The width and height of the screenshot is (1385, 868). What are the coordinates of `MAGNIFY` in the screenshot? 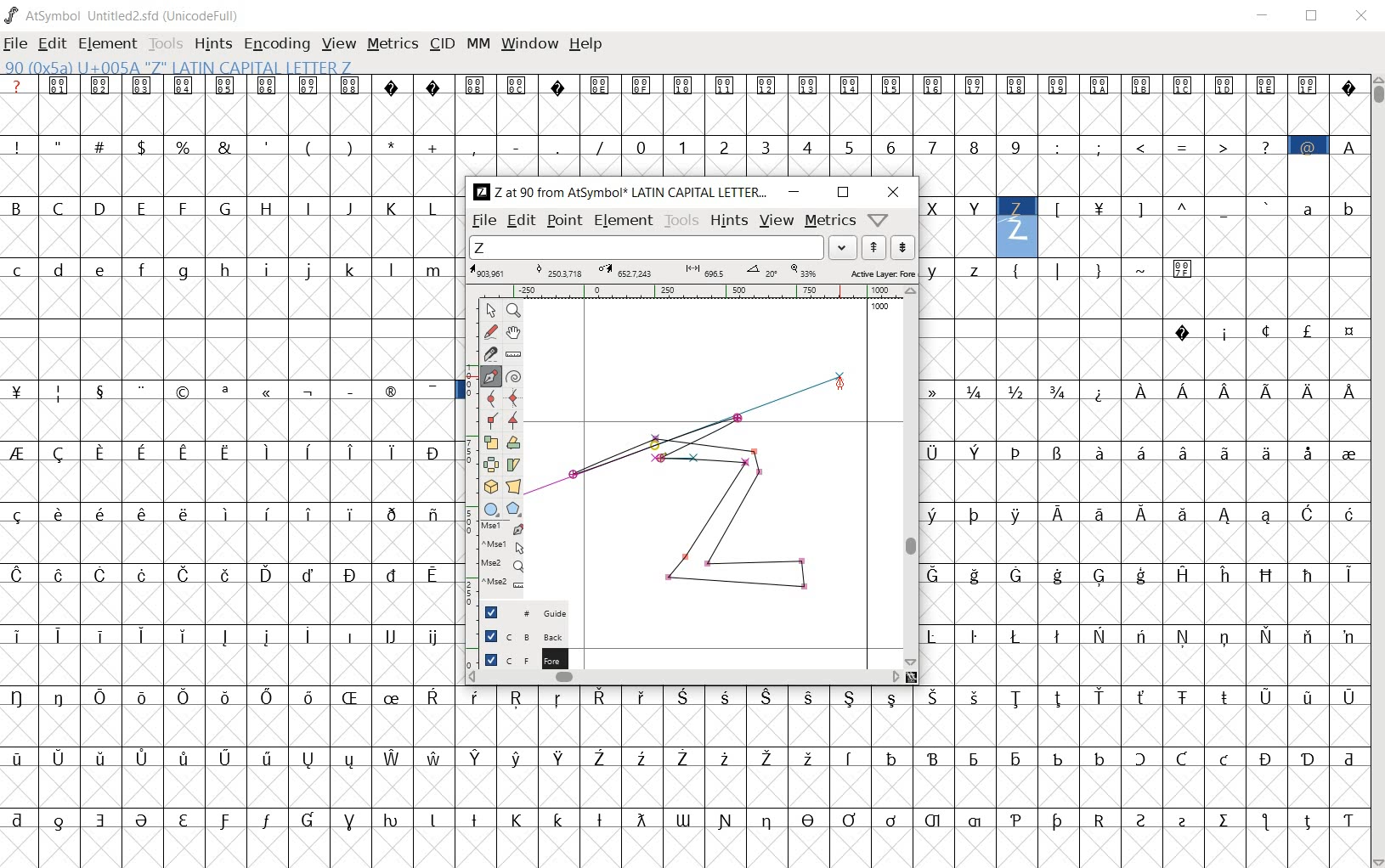 It's located at (513, 311).